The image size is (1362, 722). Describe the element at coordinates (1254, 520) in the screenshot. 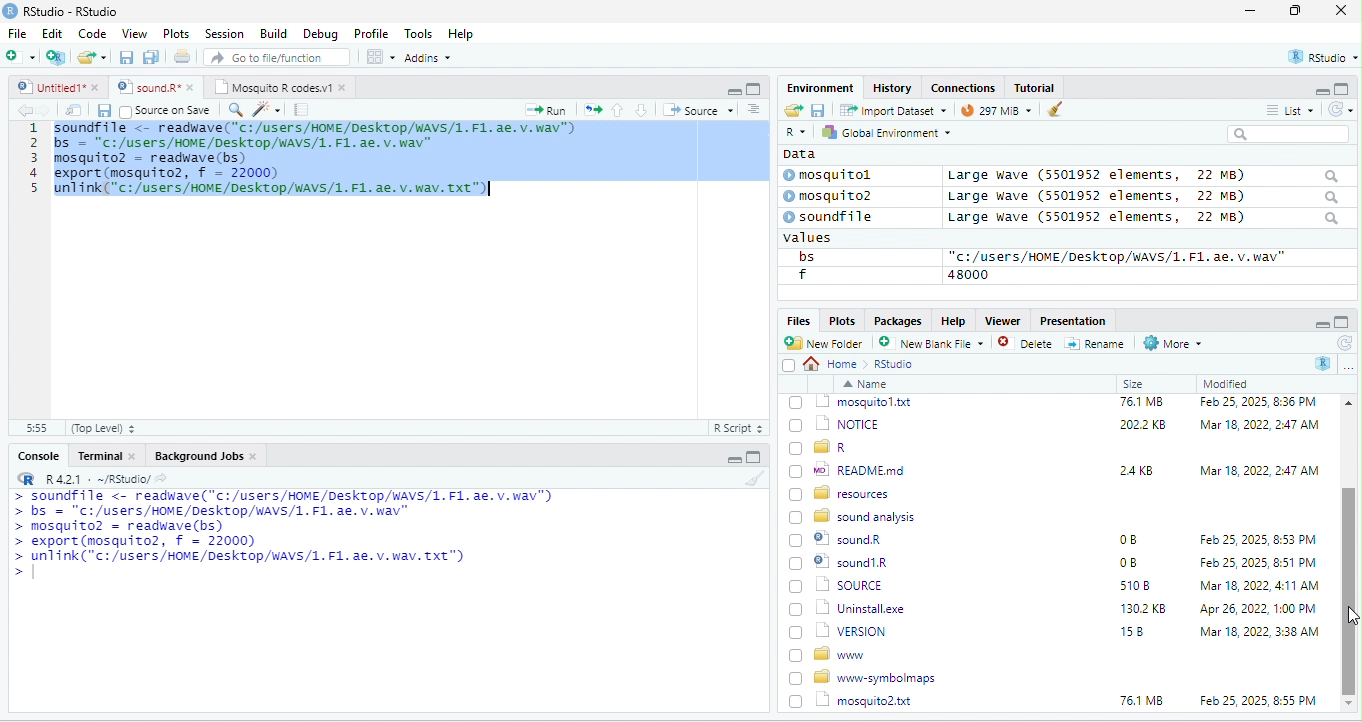

I see `Feb 25, 2025, 8:36 PM` at that location.